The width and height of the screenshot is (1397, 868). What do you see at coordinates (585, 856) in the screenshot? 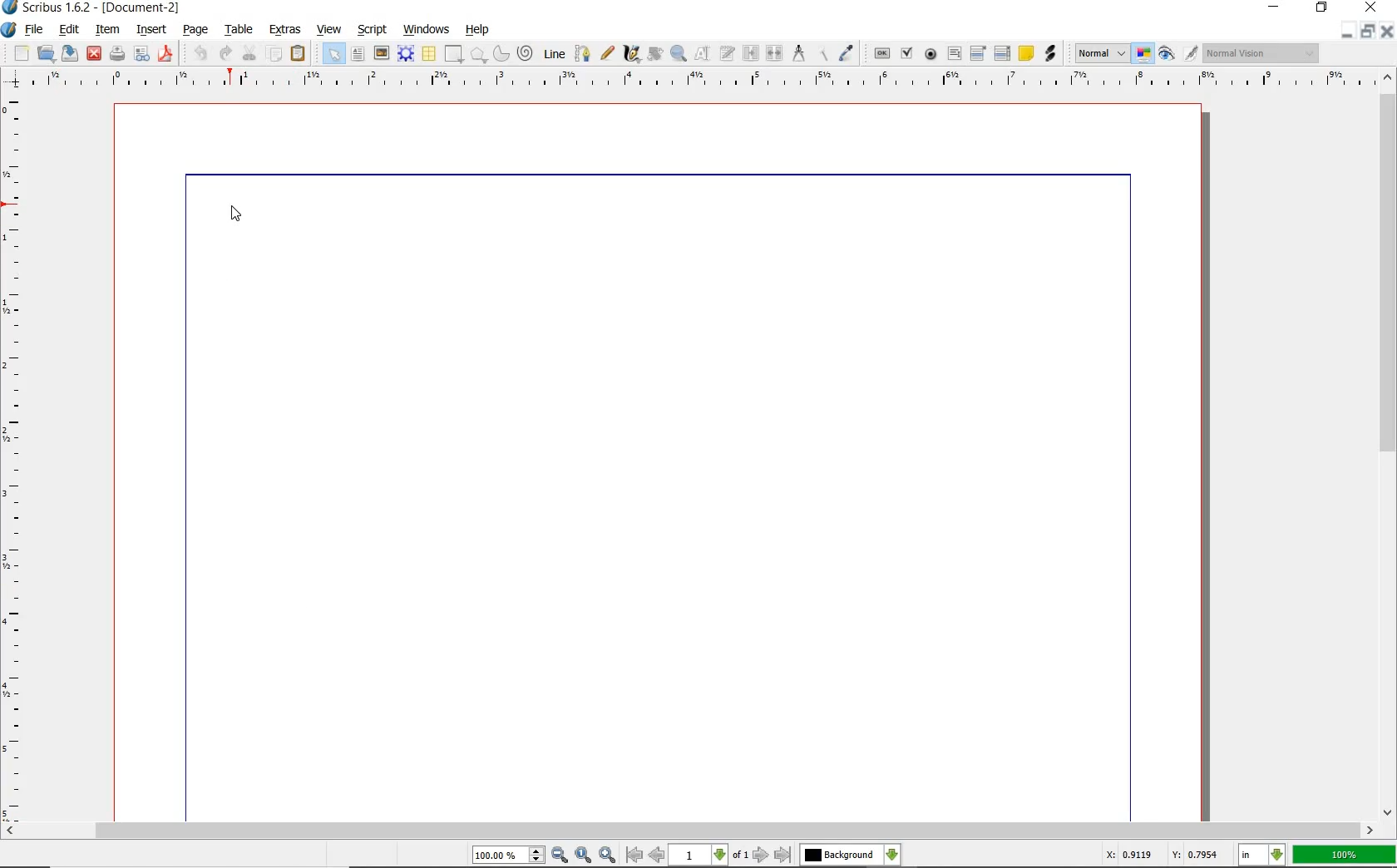
I see `zoom to` at bounding box center [585, 856].